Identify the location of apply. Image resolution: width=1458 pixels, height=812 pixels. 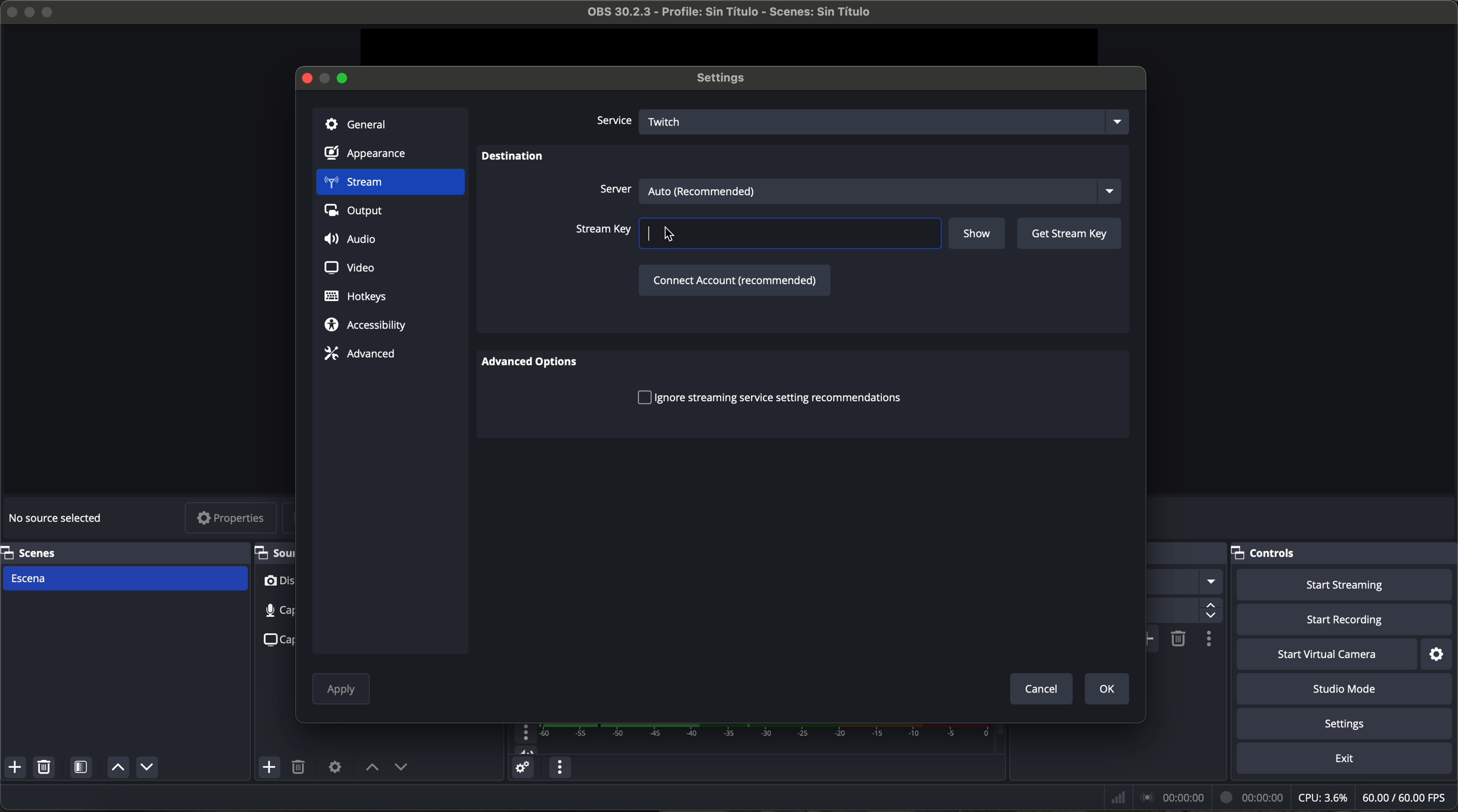
(341, 691).